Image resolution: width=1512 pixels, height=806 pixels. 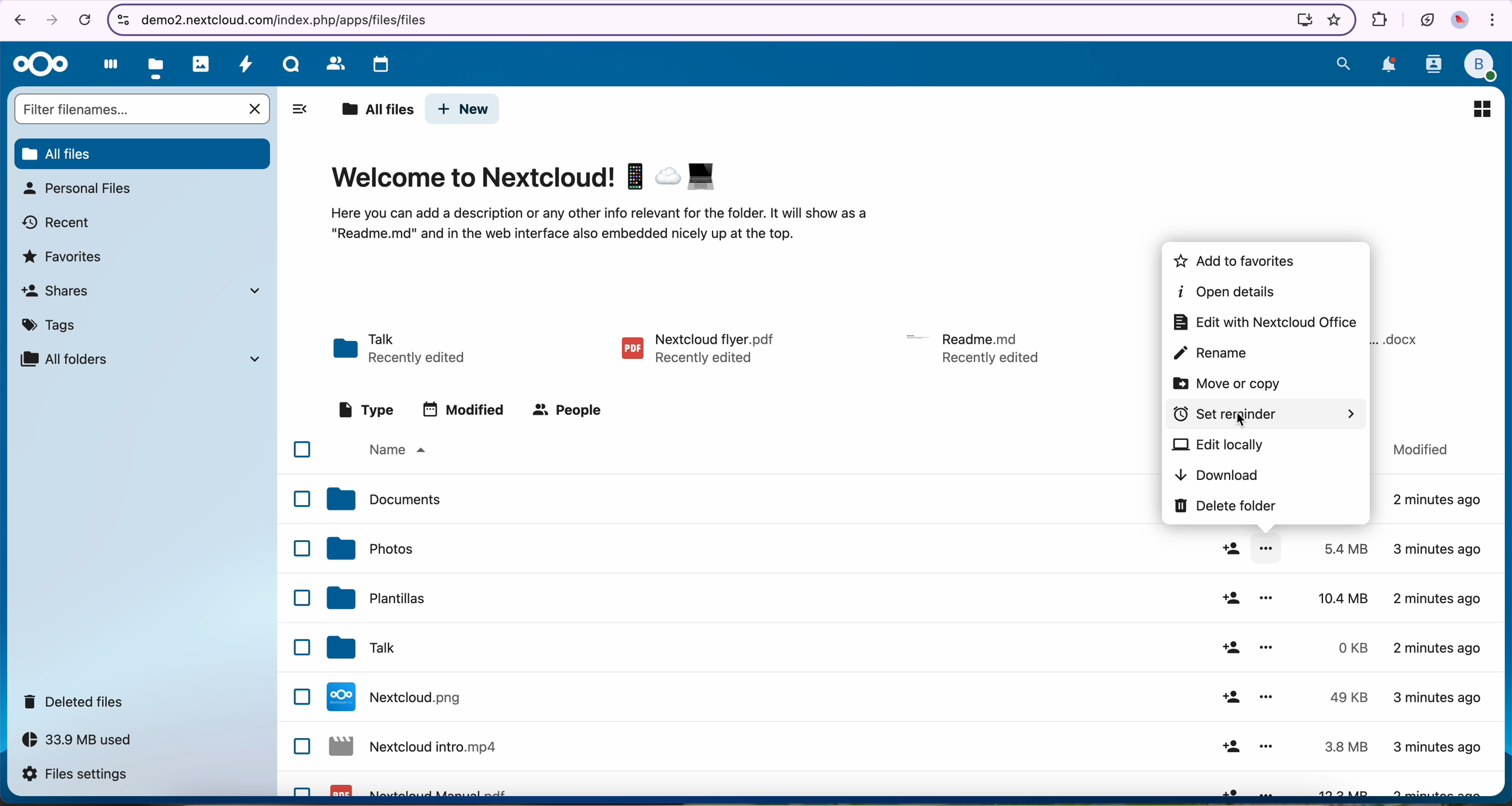 I want to click on share, so click(x=1230, y=747).